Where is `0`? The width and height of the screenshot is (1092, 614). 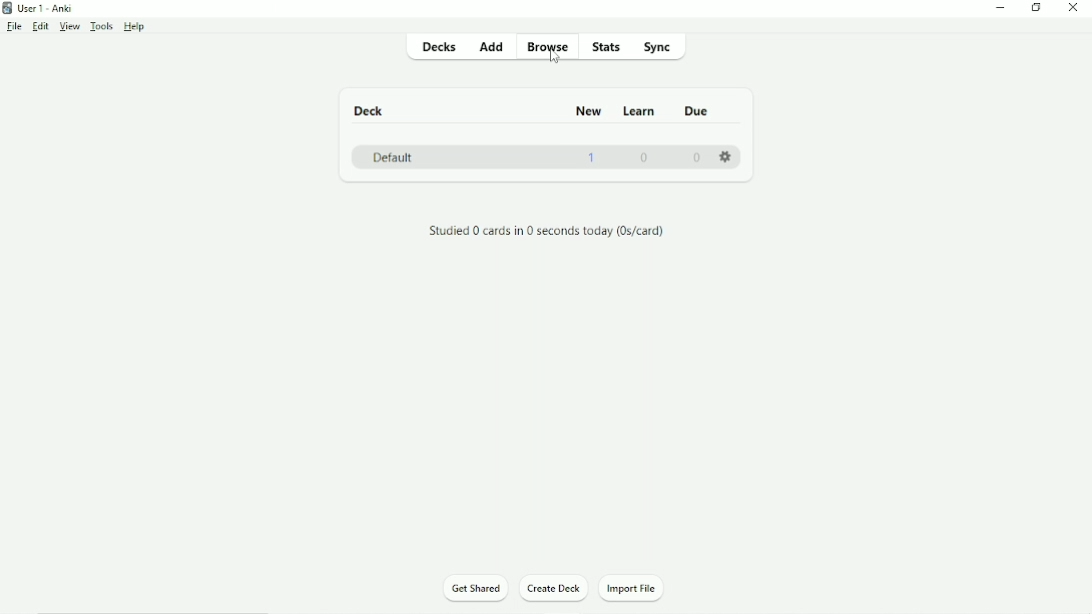 0 is located at coordinates (698, 158).